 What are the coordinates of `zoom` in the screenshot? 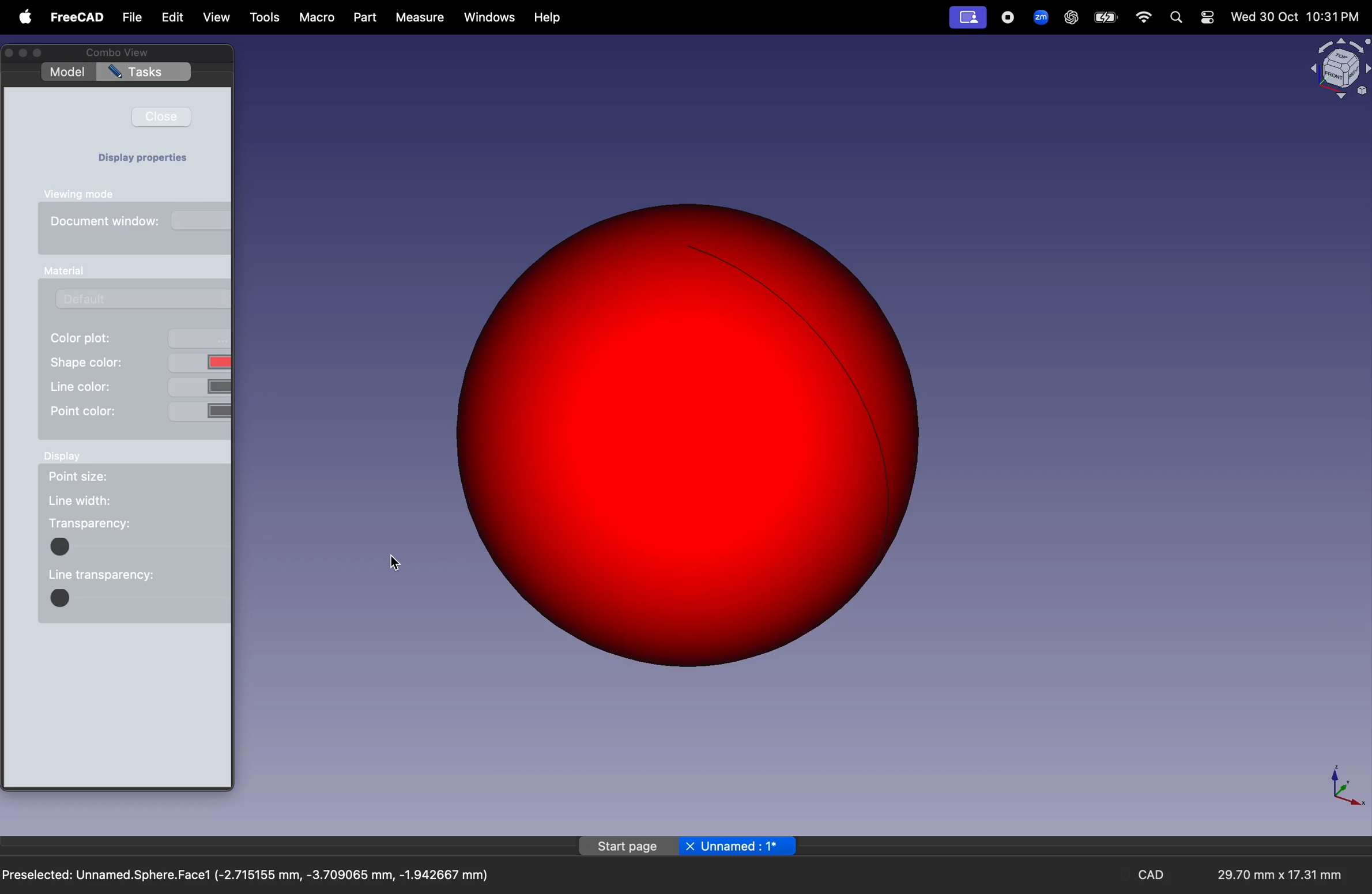 It's located at (1038, 16).